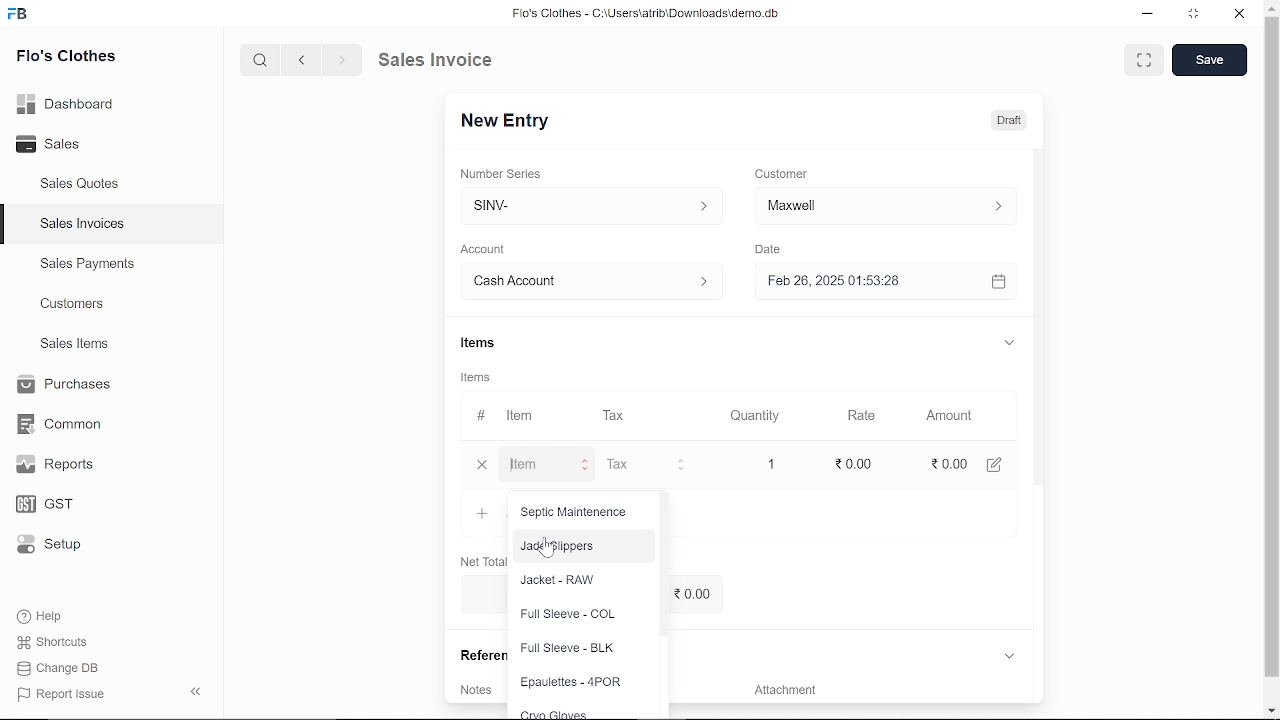 The width and height of the screenshot is (1280, 720). What do you see at coordinates (66, 58) in the screenshot?
I see `Flo's Clothes` at bounding box center [66, 58].